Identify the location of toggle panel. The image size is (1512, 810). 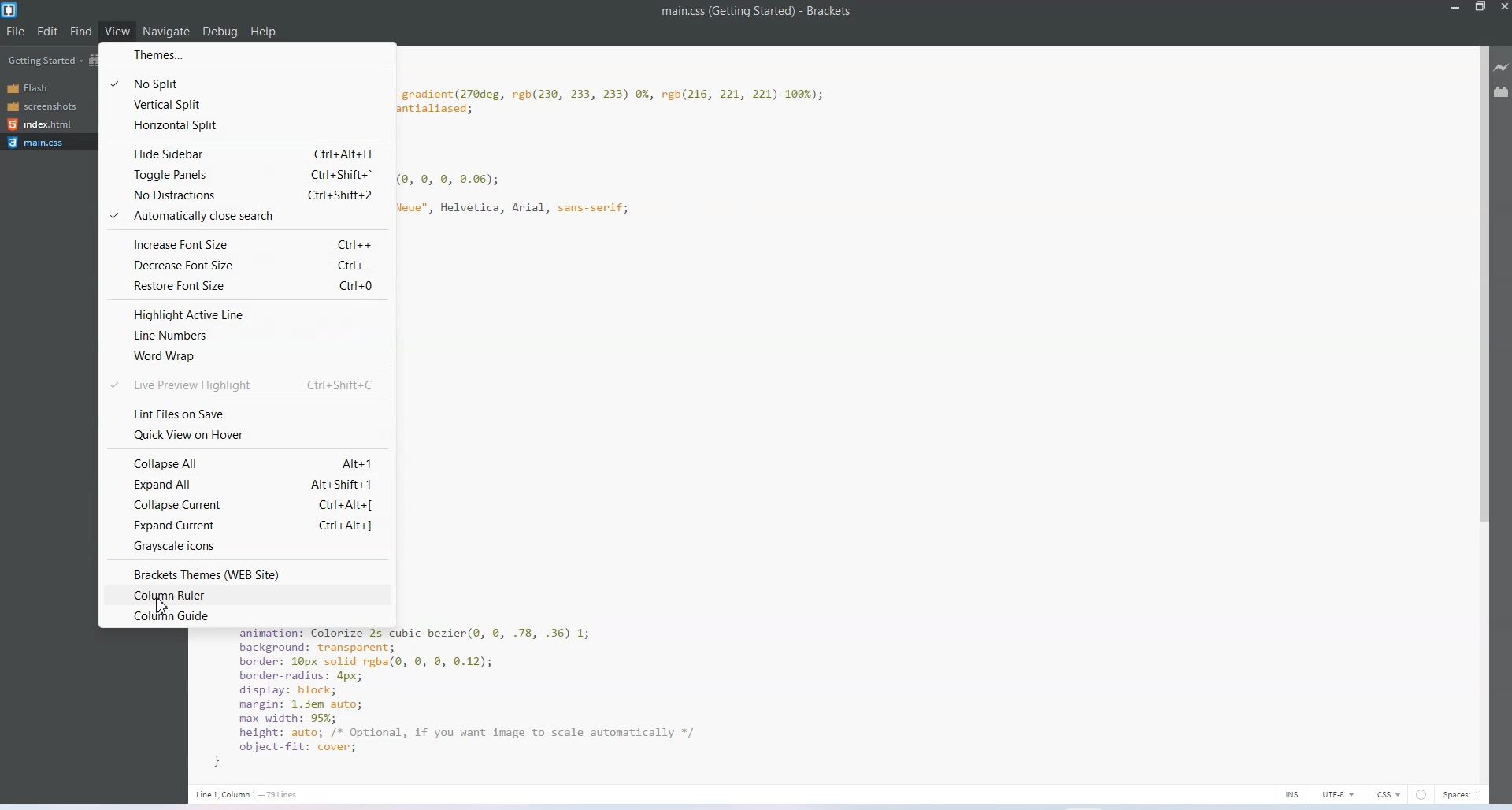
(246, 173).